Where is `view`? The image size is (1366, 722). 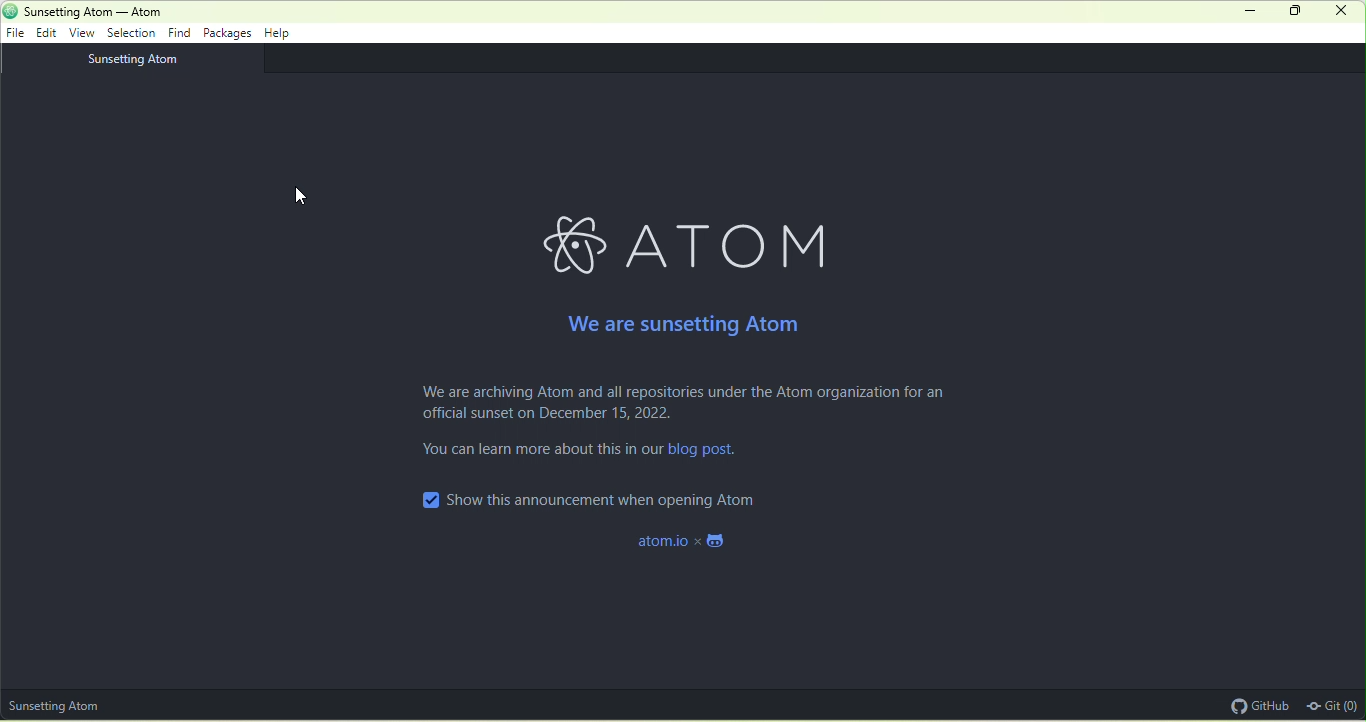 view is located at coordinates (86, 33).